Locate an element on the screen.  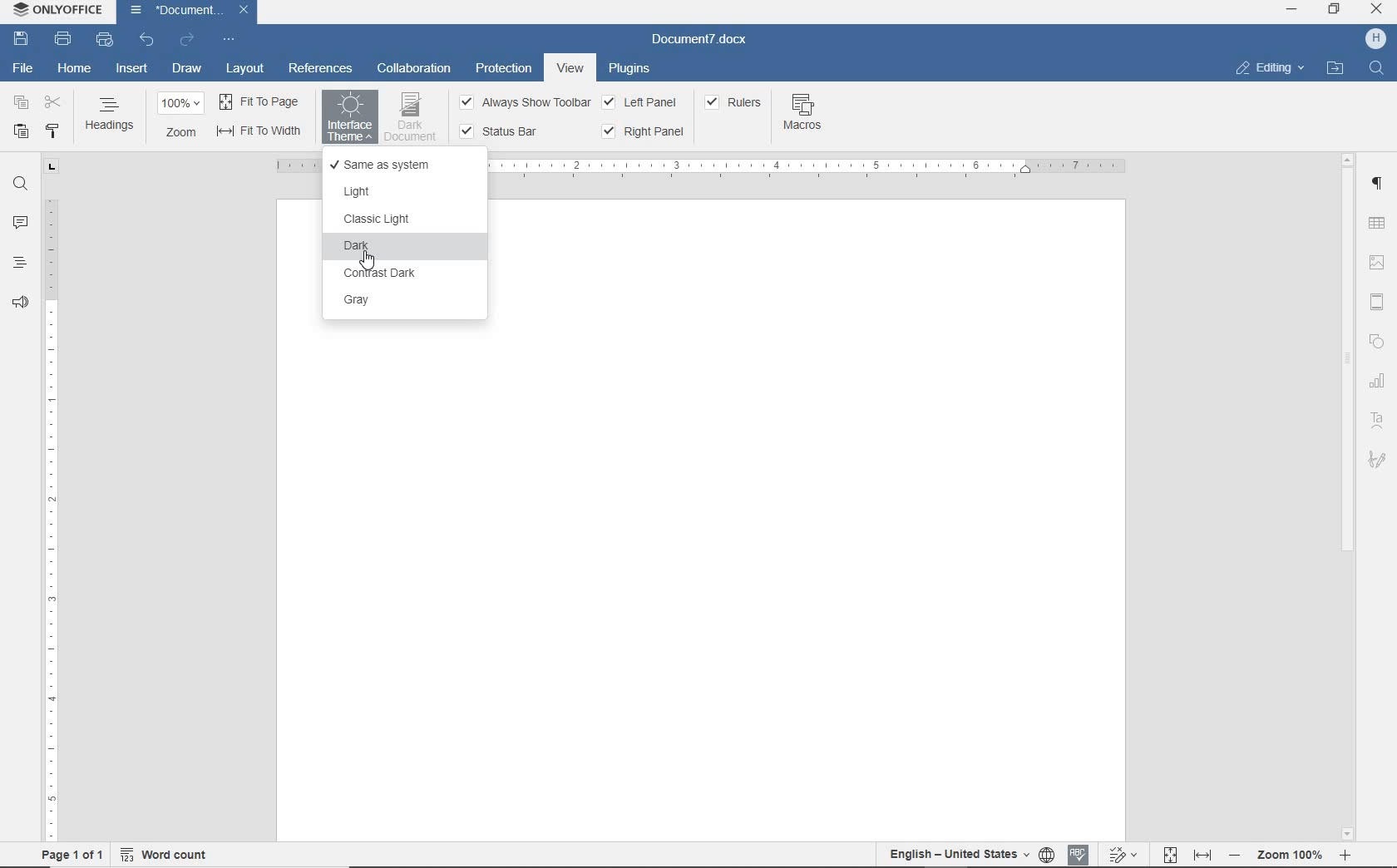
OPEN FILE LOCATION is located at coordinates (1337, 70).